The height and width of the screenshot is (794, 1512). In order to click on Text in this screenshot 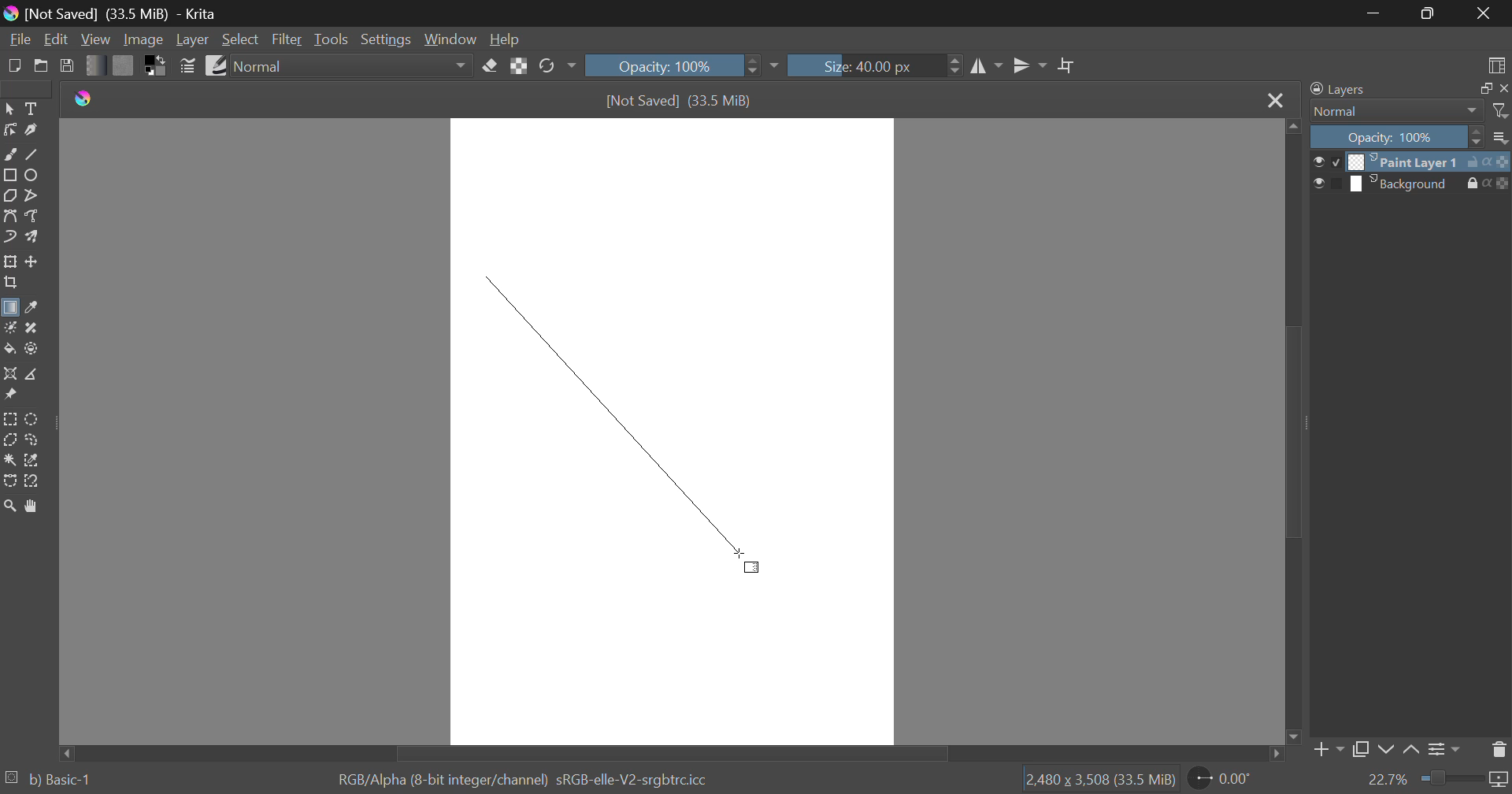, I will do `click(30, 107)`.